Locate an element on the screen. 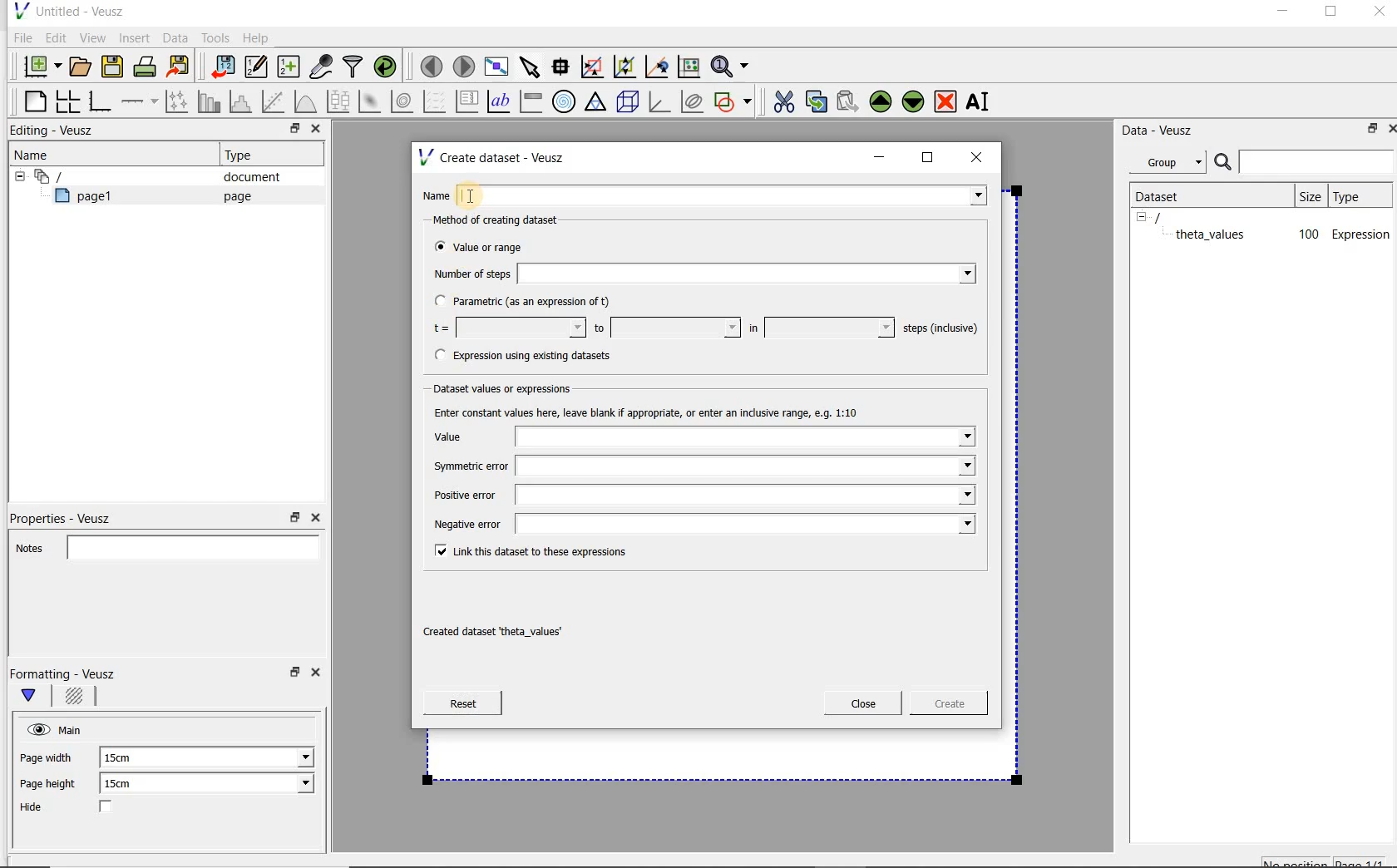 This screenshot has height=868, width=1397. move to the next page is located at coordinates (464, 67).